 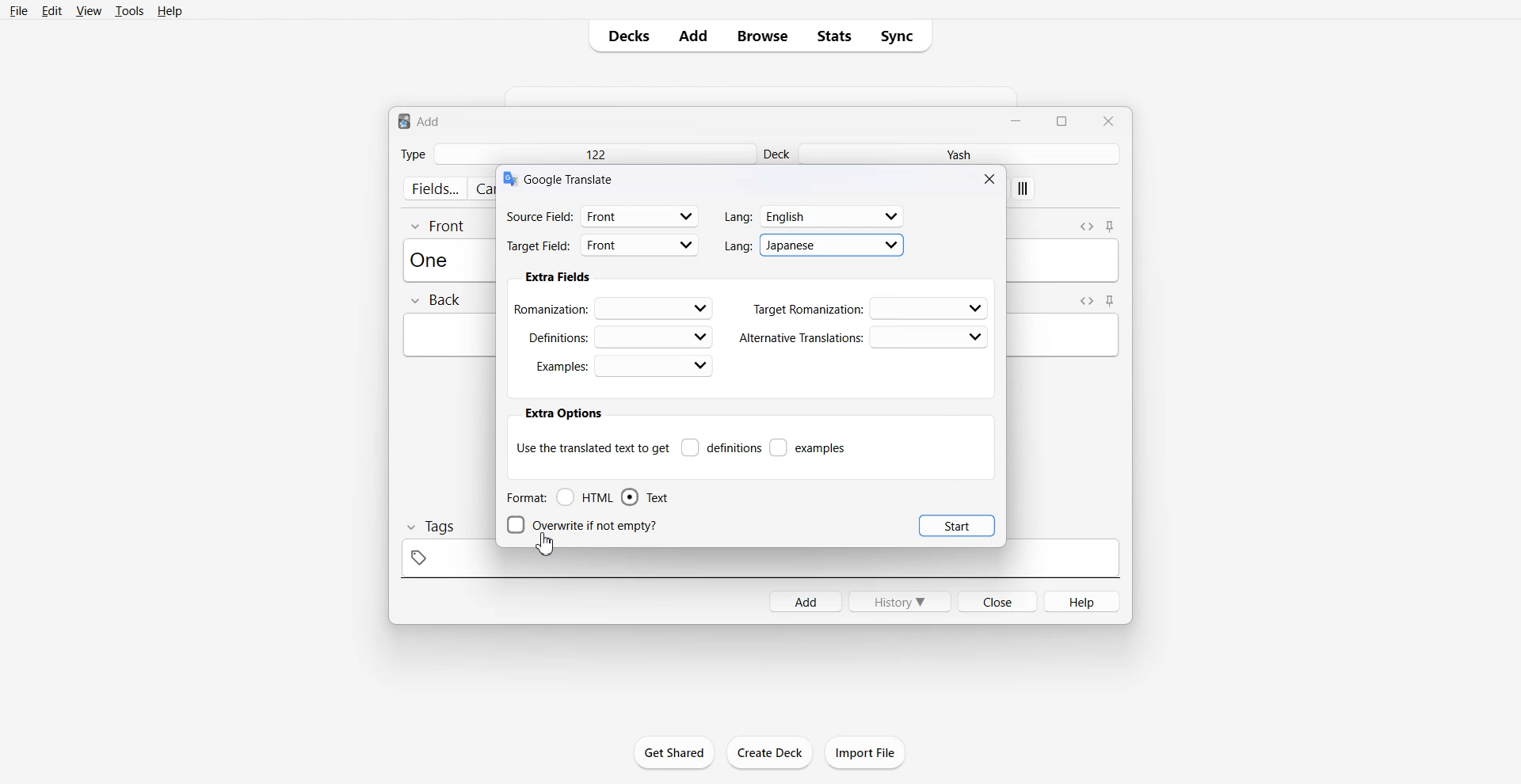 What do you see at coordinates (413, 154) in the screenshot?
I see `Type` at bounding box center [413, 154].